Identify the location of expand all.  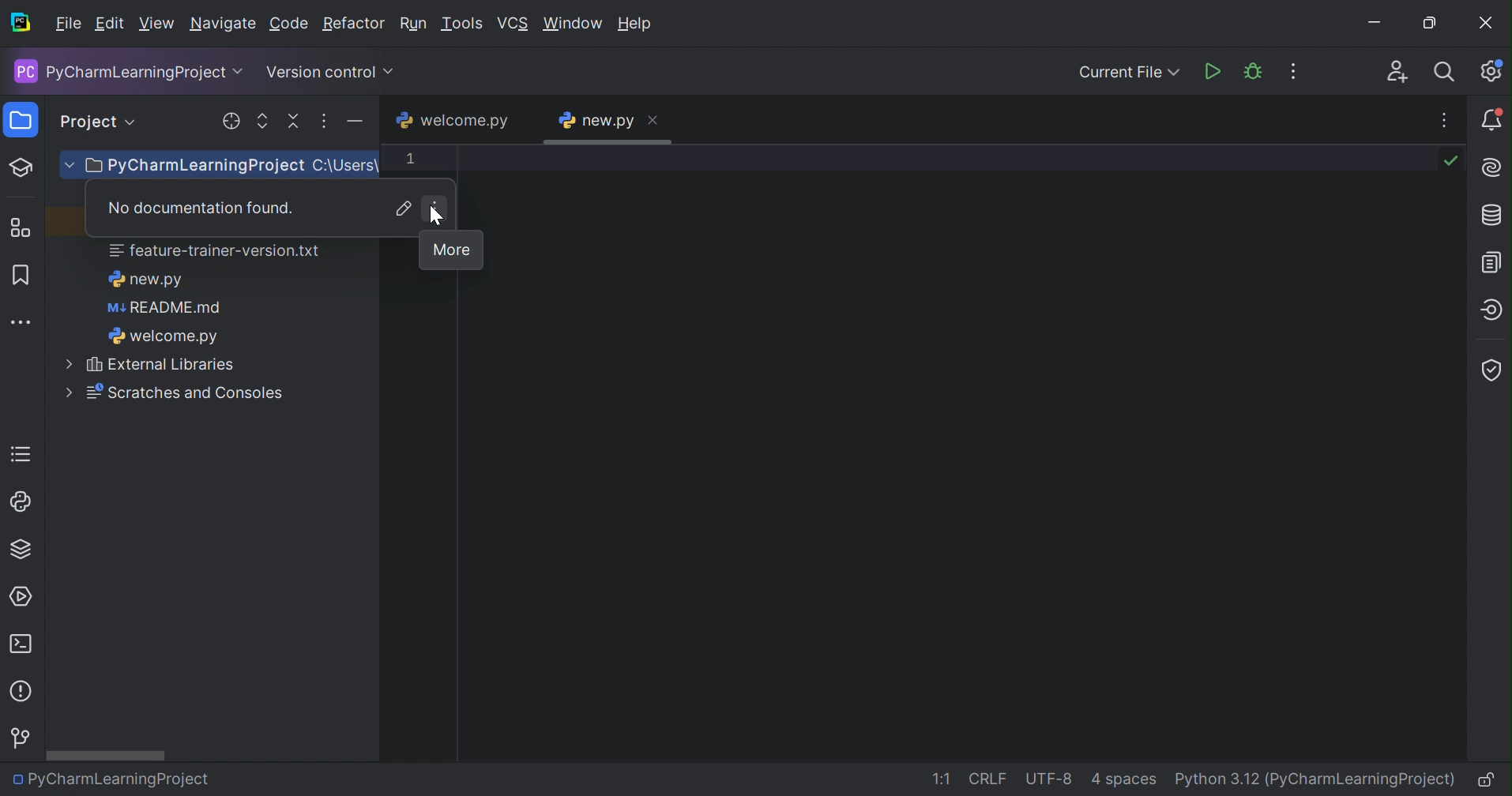
(260, 121).